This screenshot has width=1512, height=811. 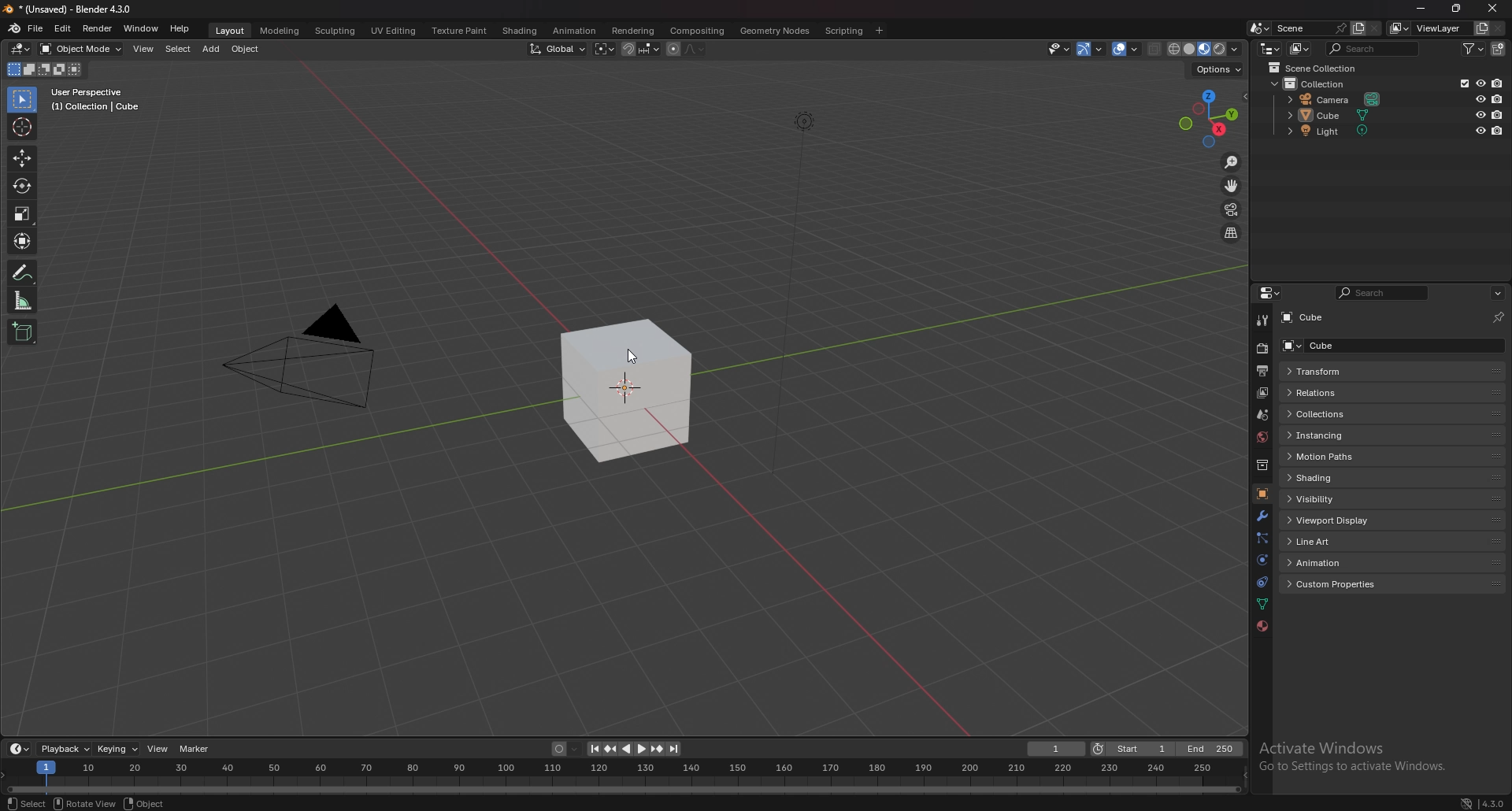 I want to click on toggle xrays, so click(x=1155, y=49).